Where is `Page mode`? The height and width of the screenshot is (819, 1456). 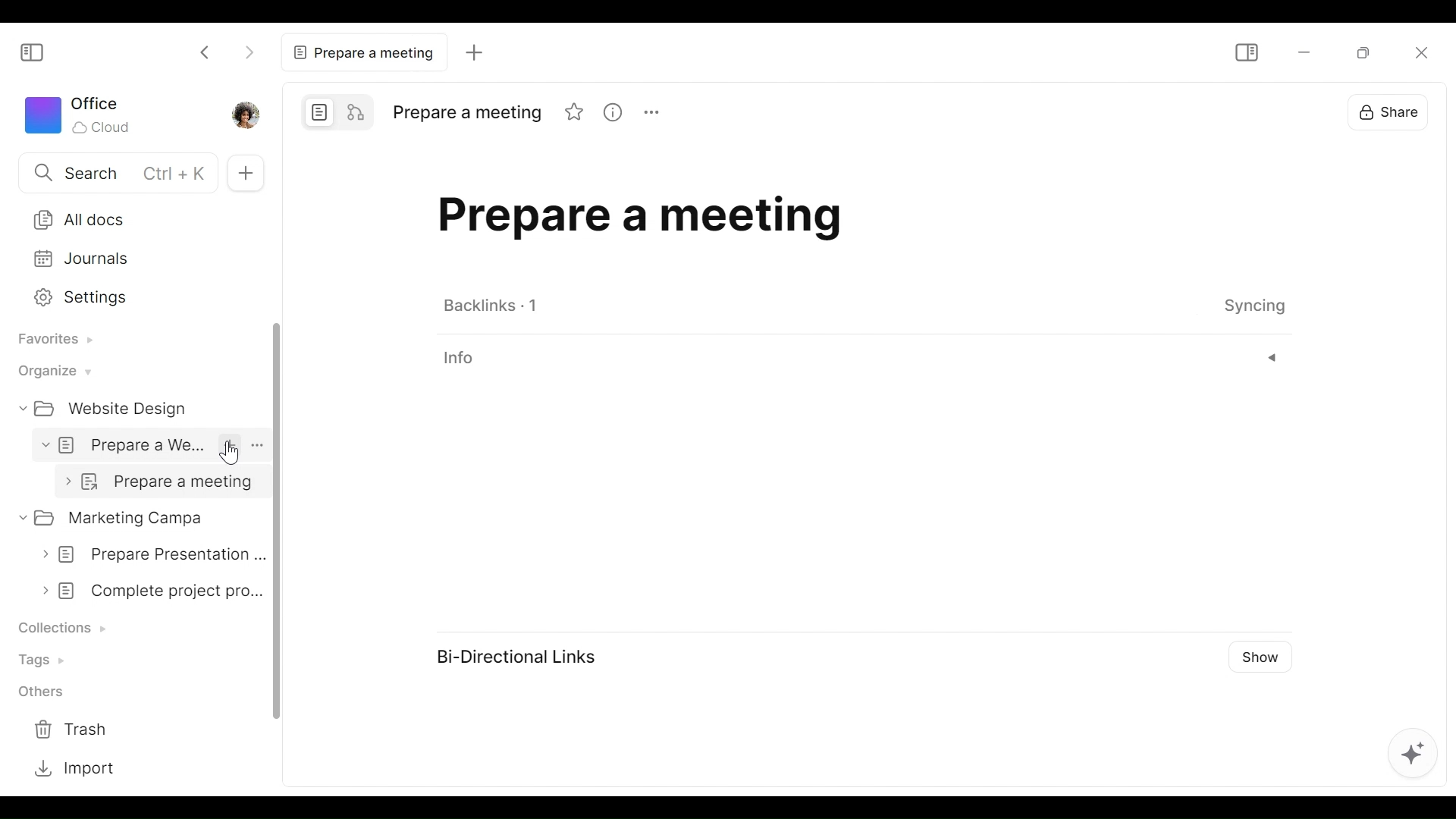
Page mode is located at coordinates (317, 112).